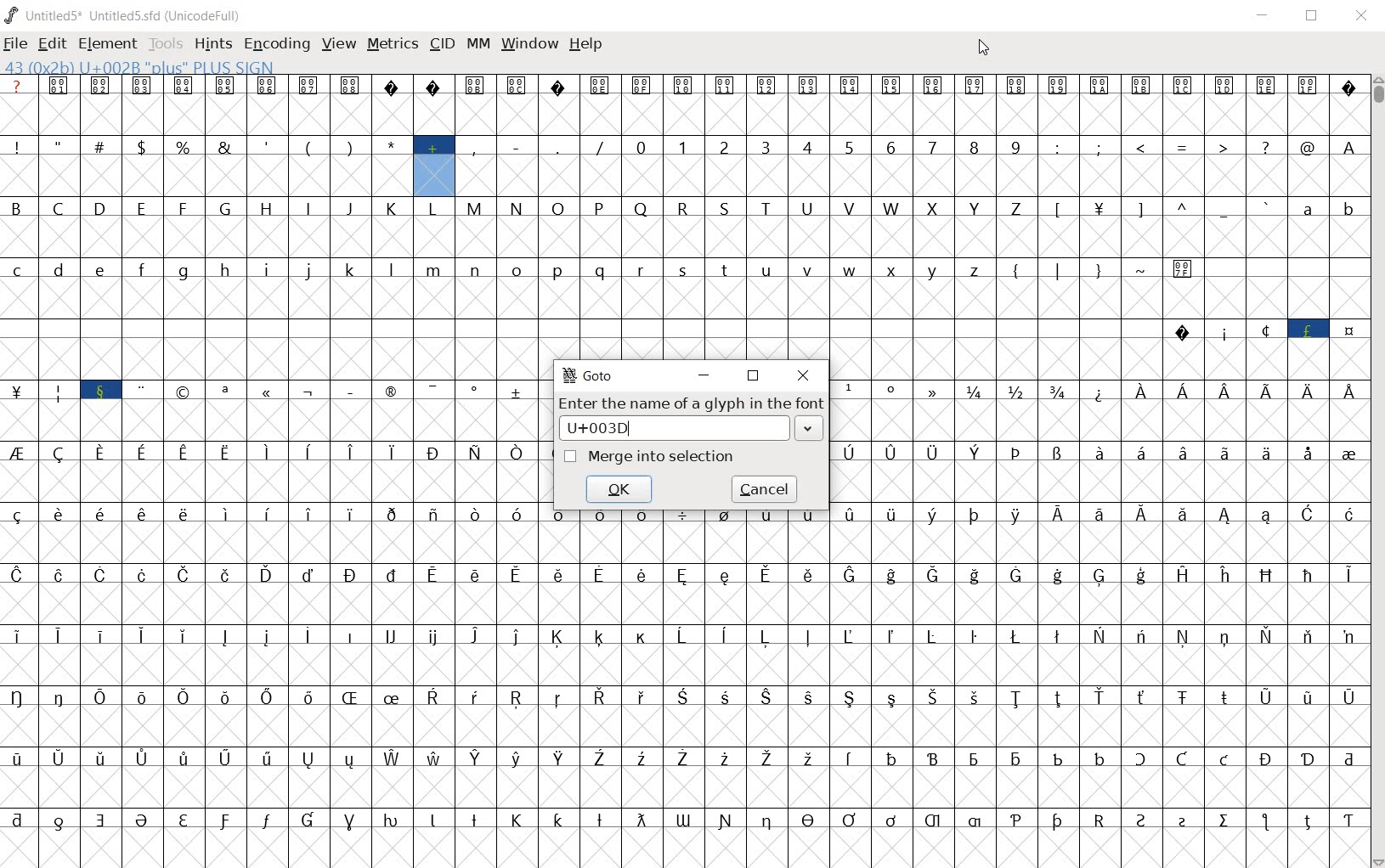 The height and width of the screenshot is (868, 1385). Describe the element at coordinates (802, 375) in the screenshot. I see `close` at that location.